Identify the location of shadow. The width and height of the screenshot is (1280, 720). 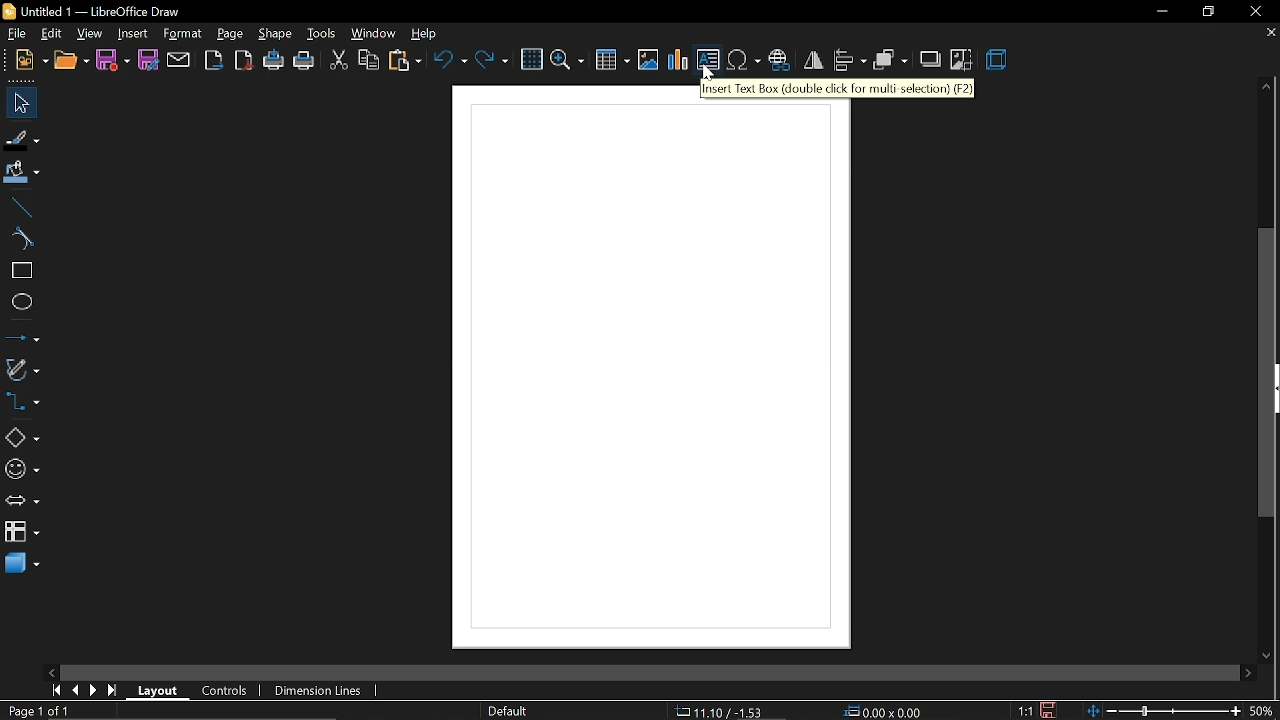
(932, 58).